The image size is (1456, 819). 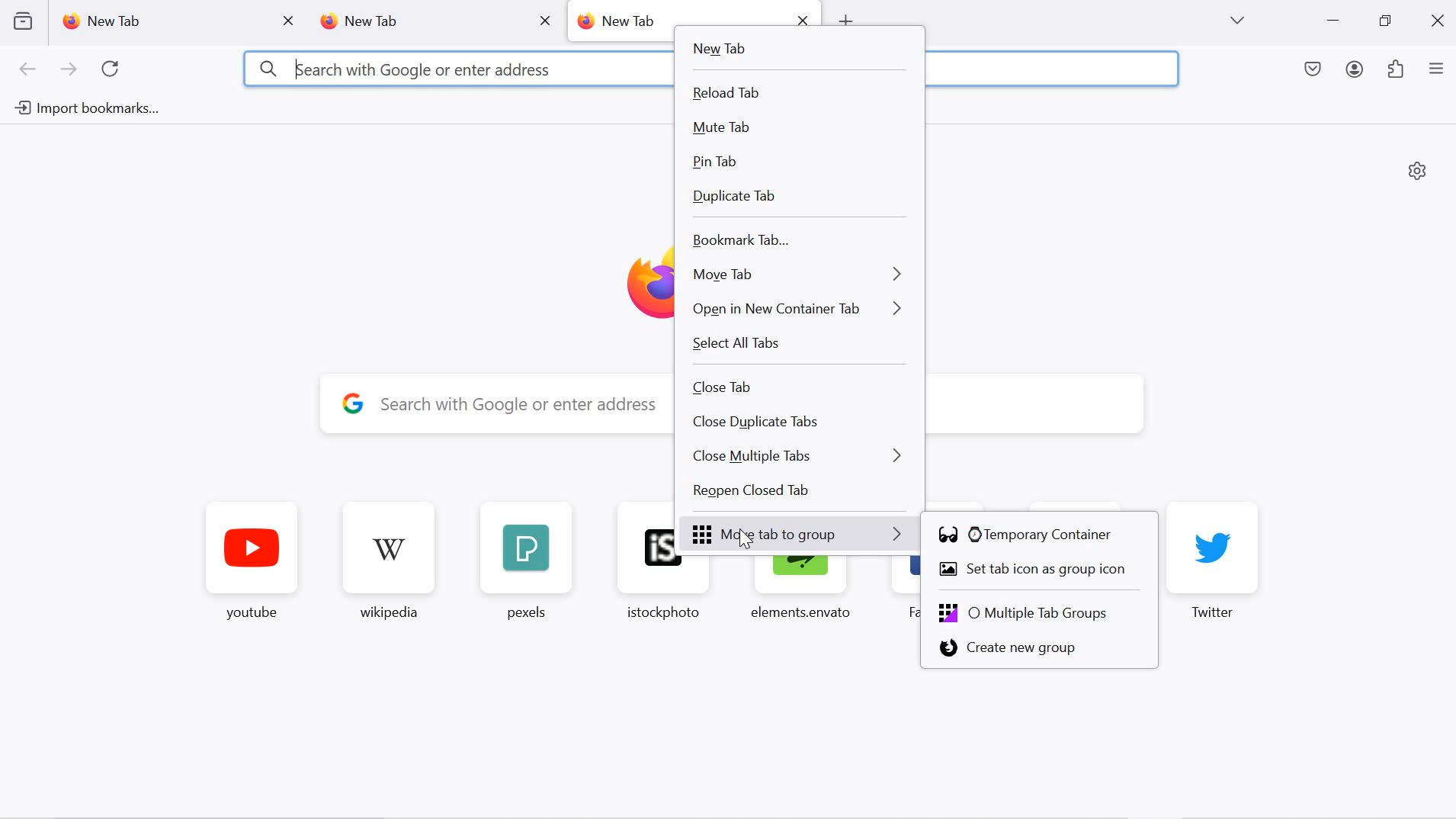 What do you see at coordinates (794, 201) in the screenshot?
I see `duplicate tab` at bounding box center [794, 201].